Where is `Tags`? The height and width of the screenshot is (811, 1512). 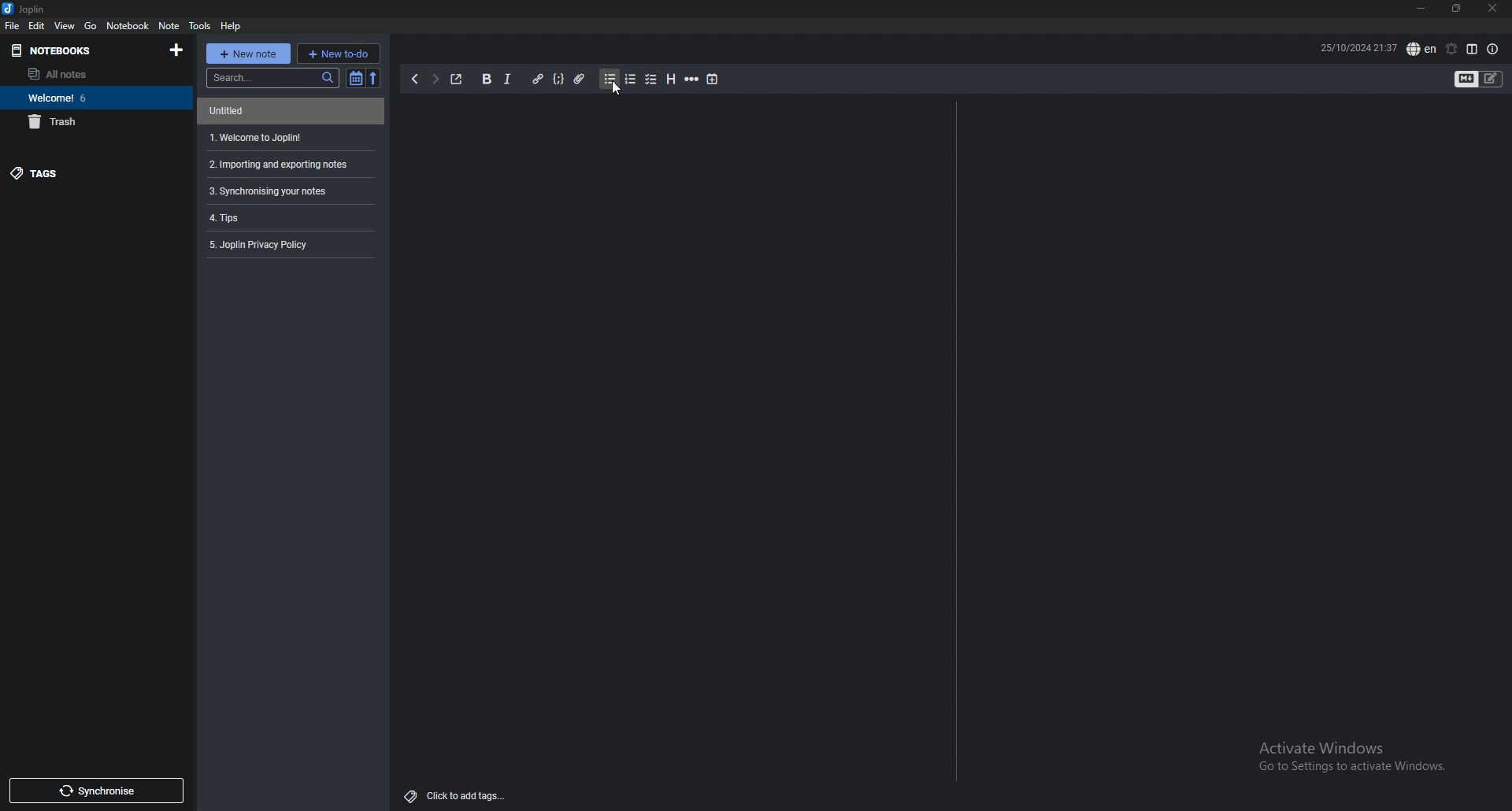 Tags is located at coordinates (34, 172).